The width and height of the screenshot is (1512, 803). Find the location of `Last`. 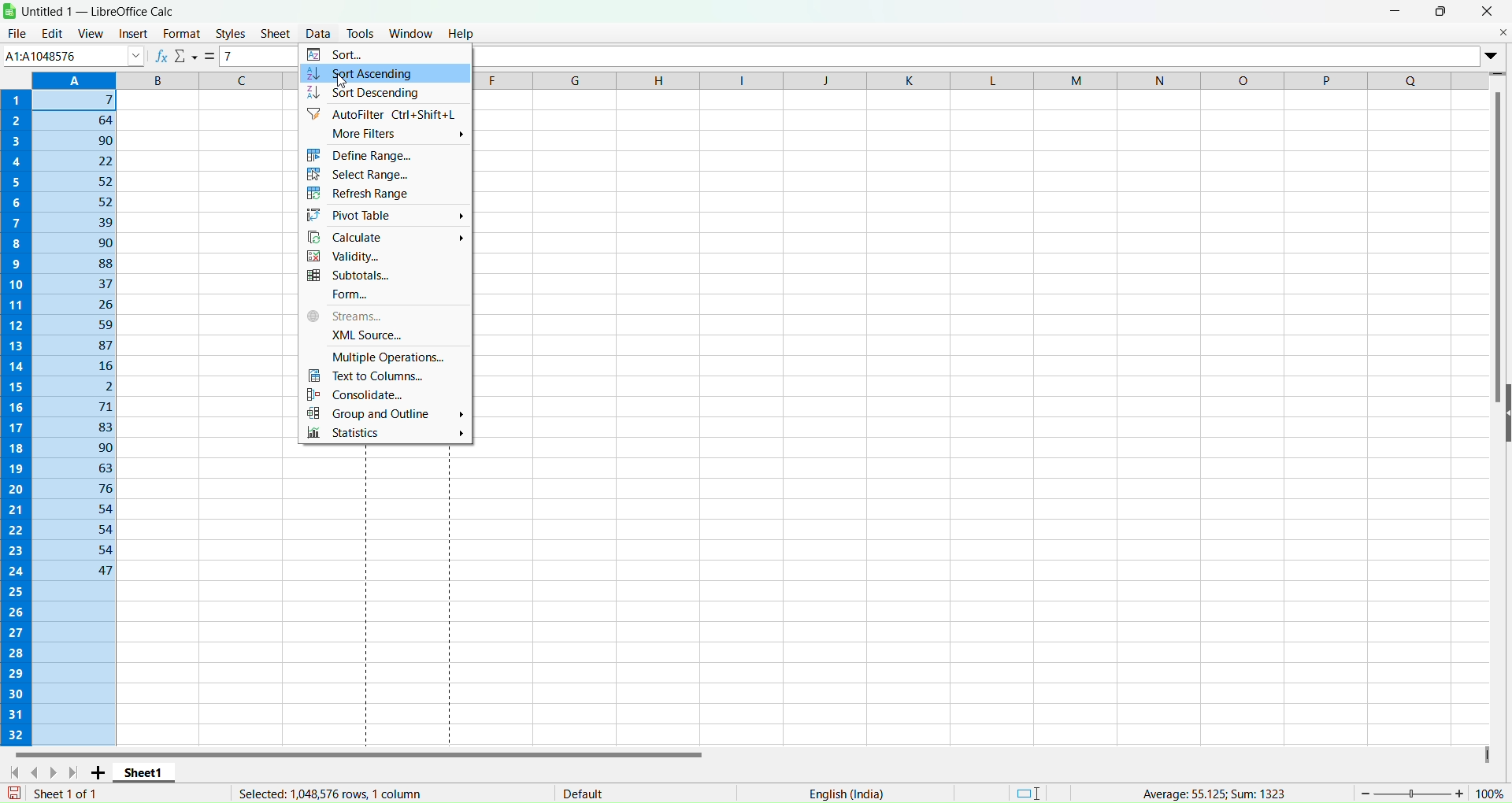

Last is located at coordinates (76, 772).